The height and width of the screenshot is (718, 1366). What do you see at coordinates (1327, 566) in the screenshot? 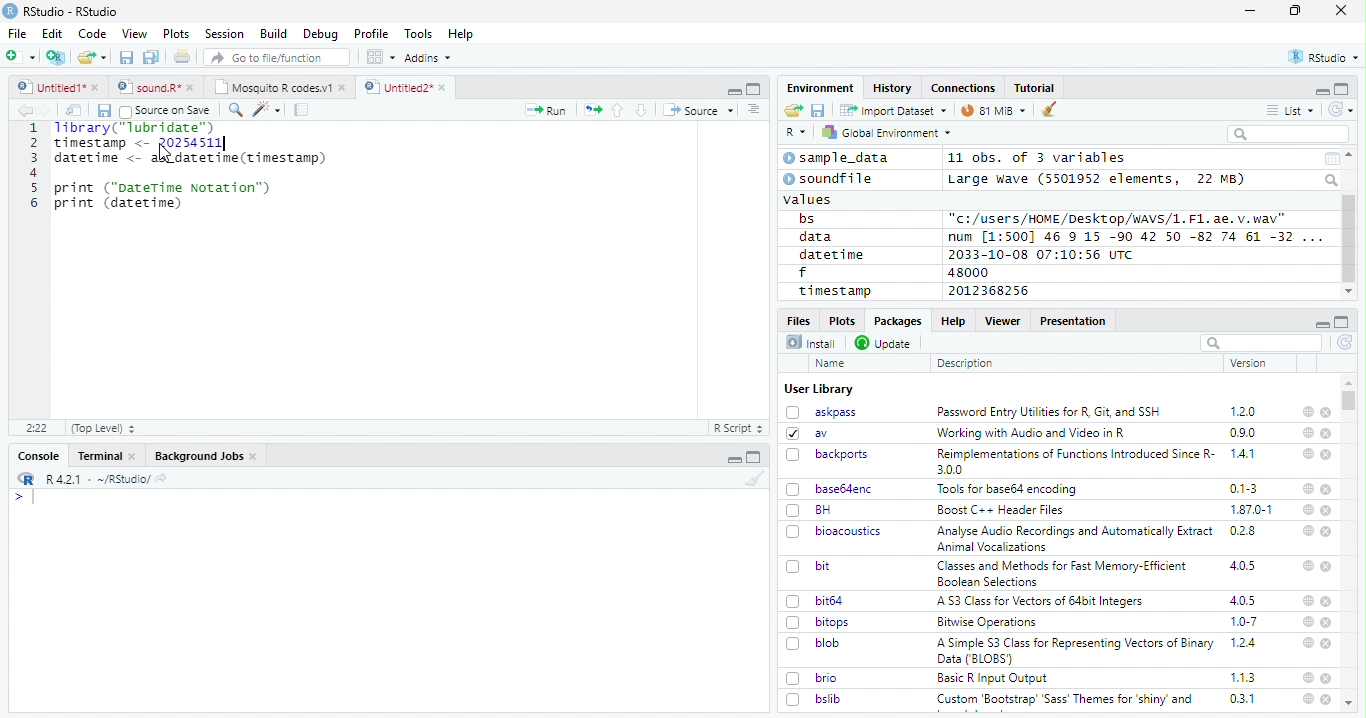
I see `close` at bounding box center [1327, 566].